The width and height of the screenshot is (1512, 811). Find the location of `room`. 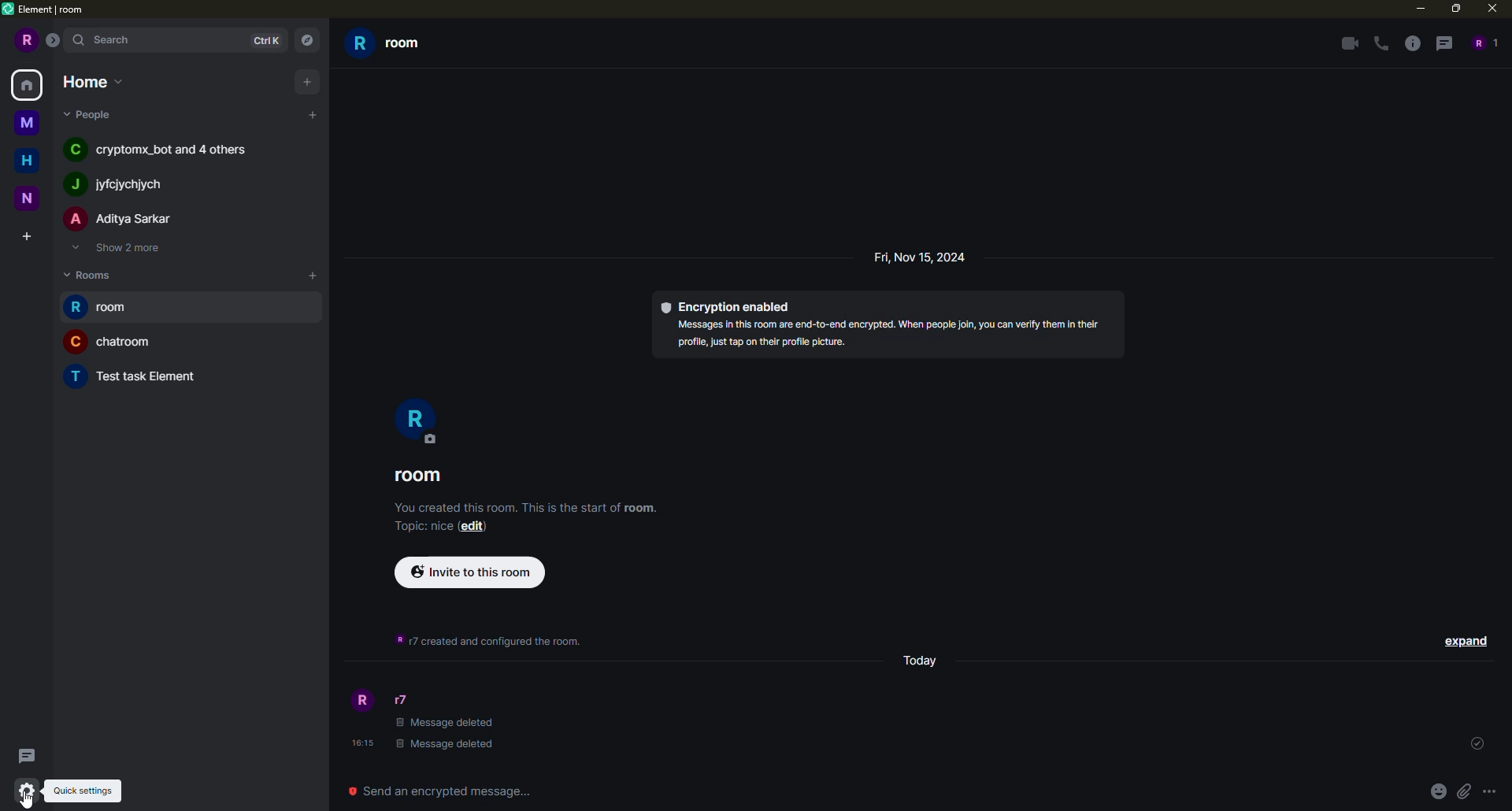

room is located at coordinates (138, 374).